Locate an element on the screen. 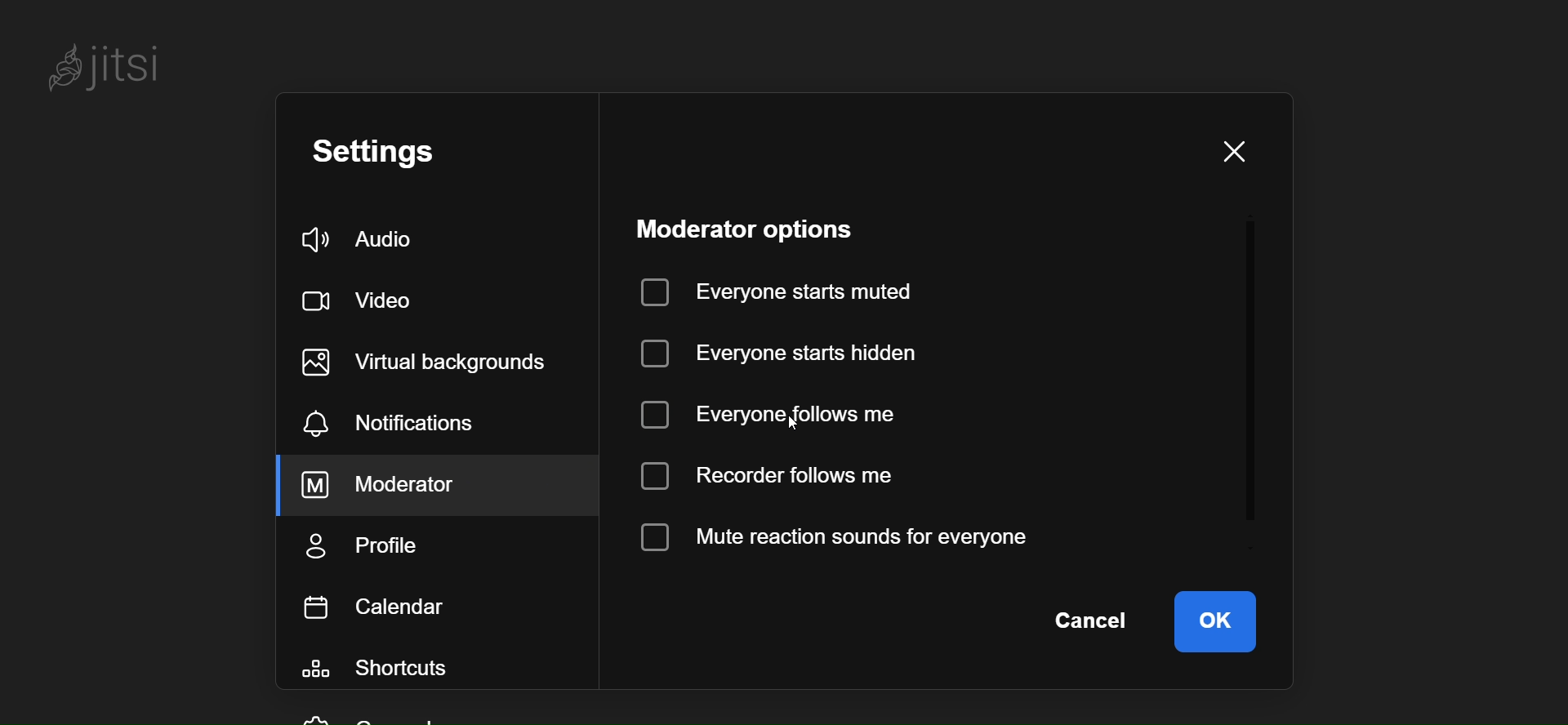  moderator is located at coordinates (403, 485).